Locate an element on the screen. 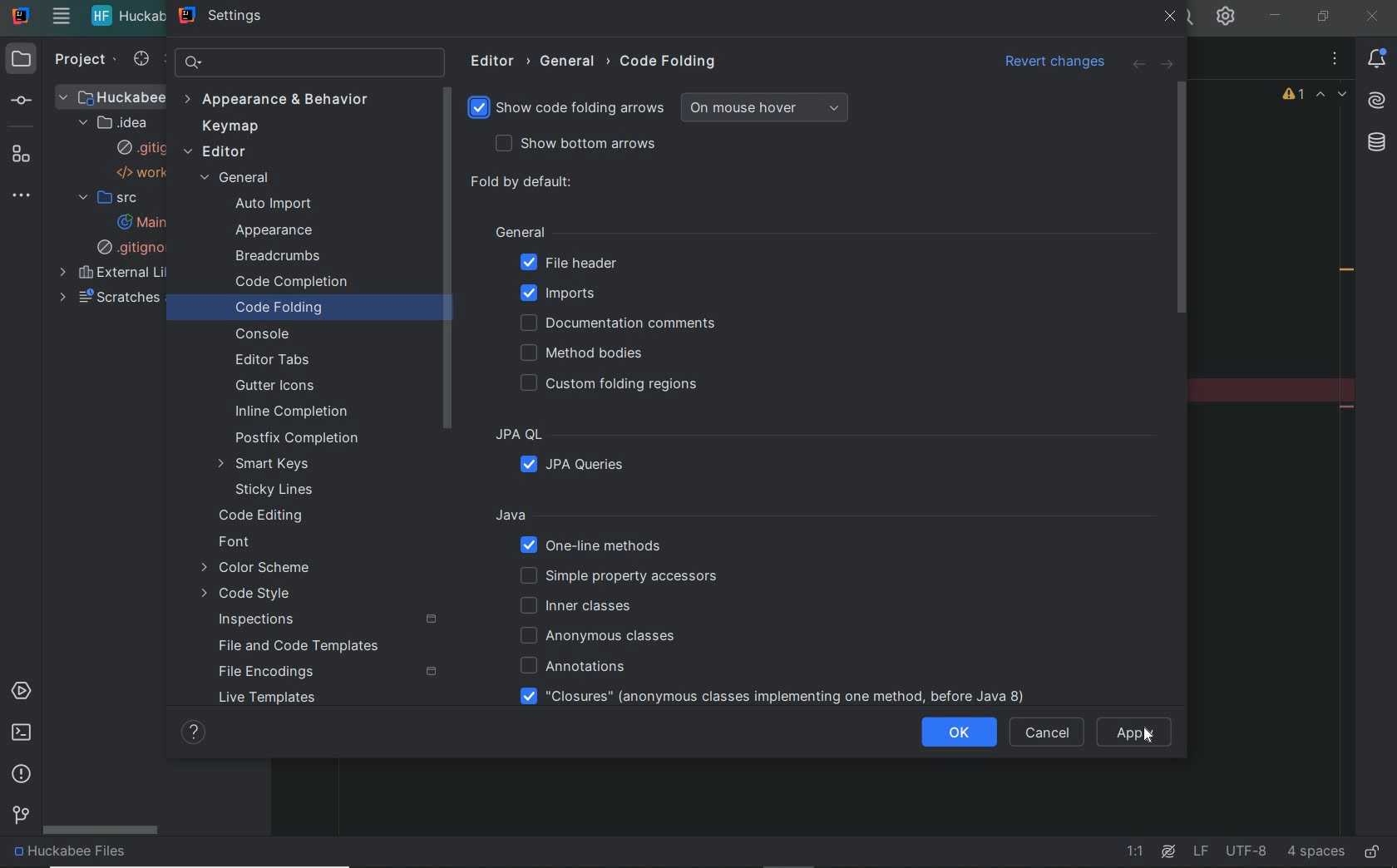 Image resolution: width=1397 pixels, height=868 pixels. appearance and behavior is located at coordinates (280, 101).